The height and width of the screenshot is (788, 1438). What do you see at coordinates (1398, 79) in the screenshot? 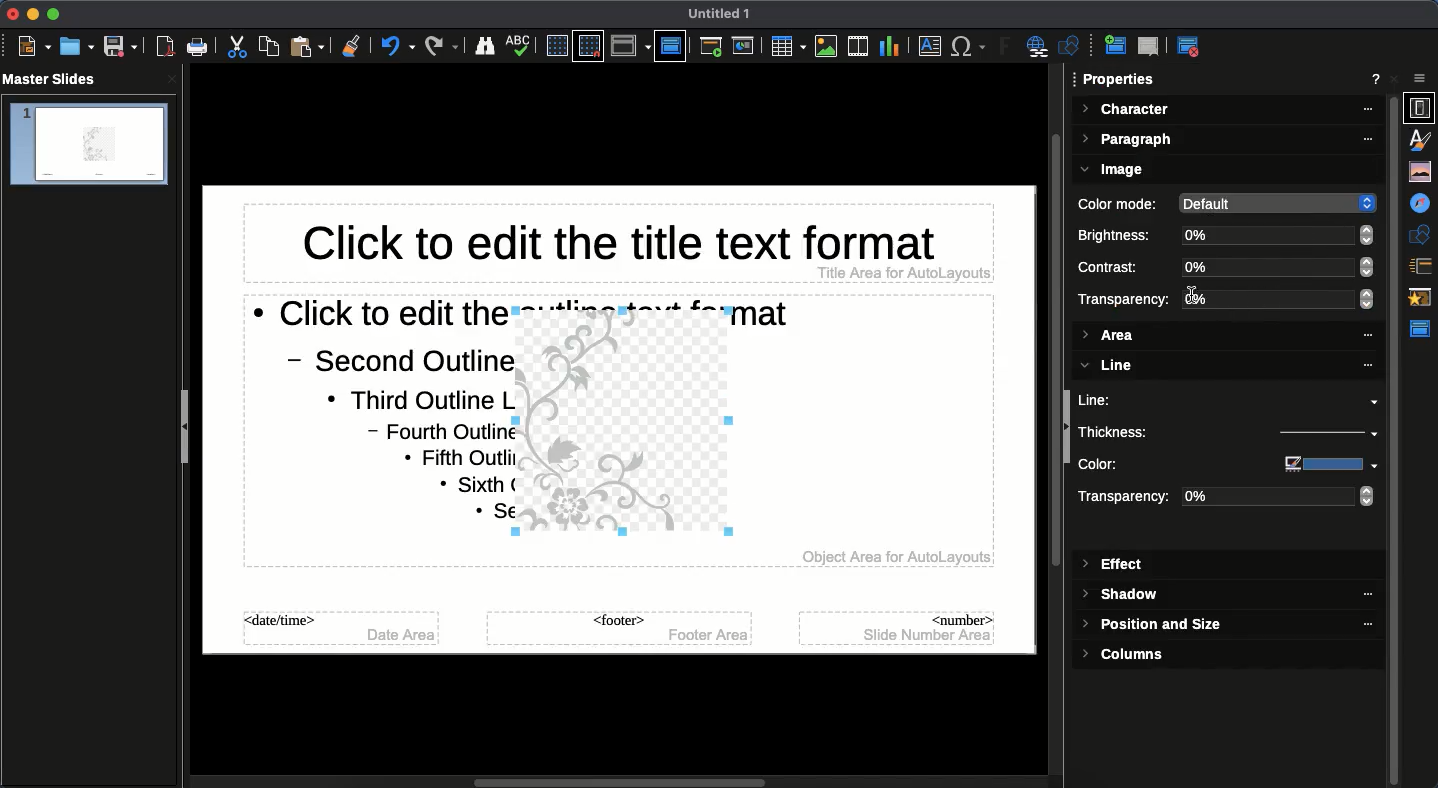
I see `Close` at bounding box center [1398, 79].